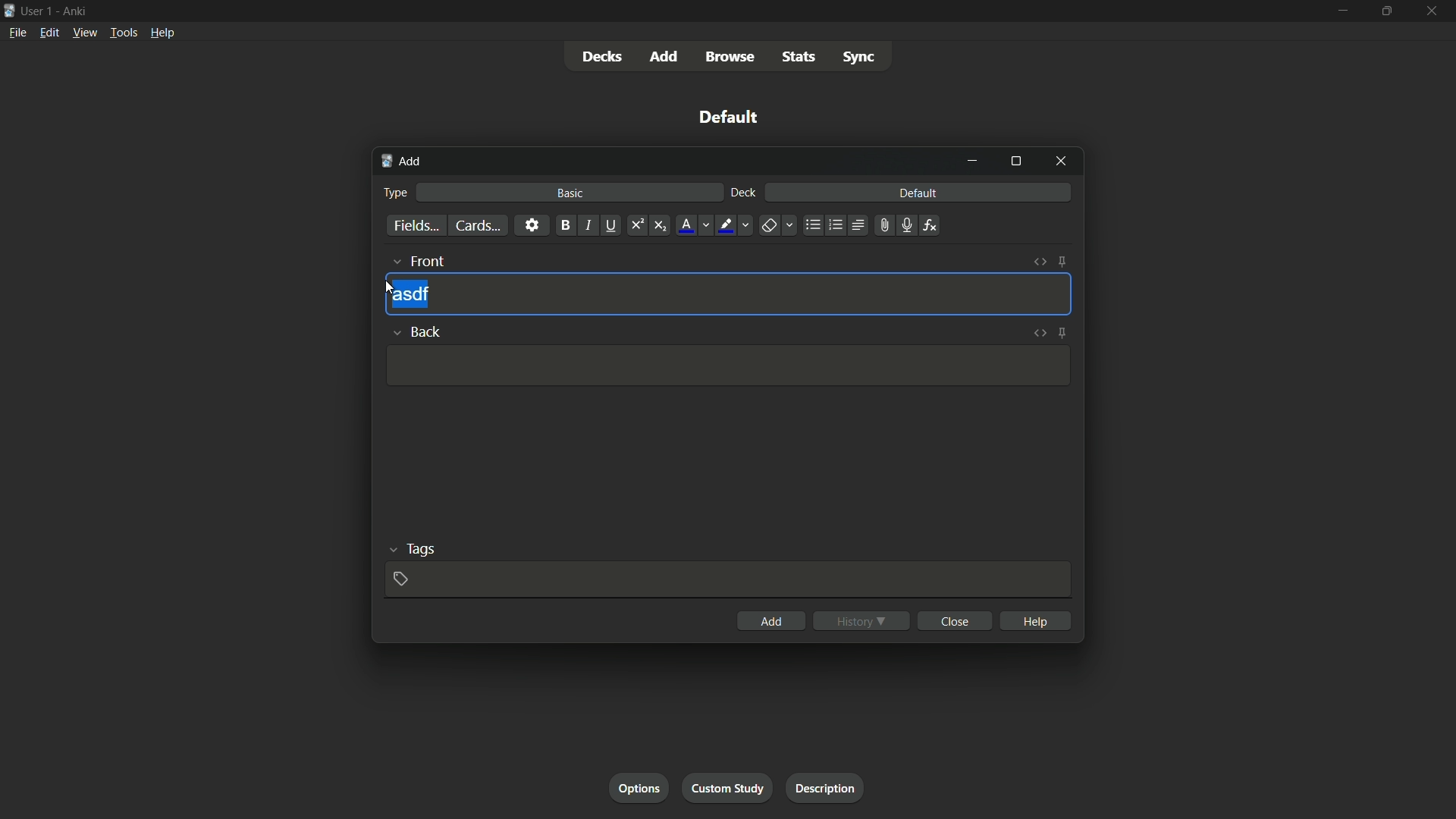  Describe the element at coordinates (1038, 333) in the screenshot. I see `toggle html editor` at that location.